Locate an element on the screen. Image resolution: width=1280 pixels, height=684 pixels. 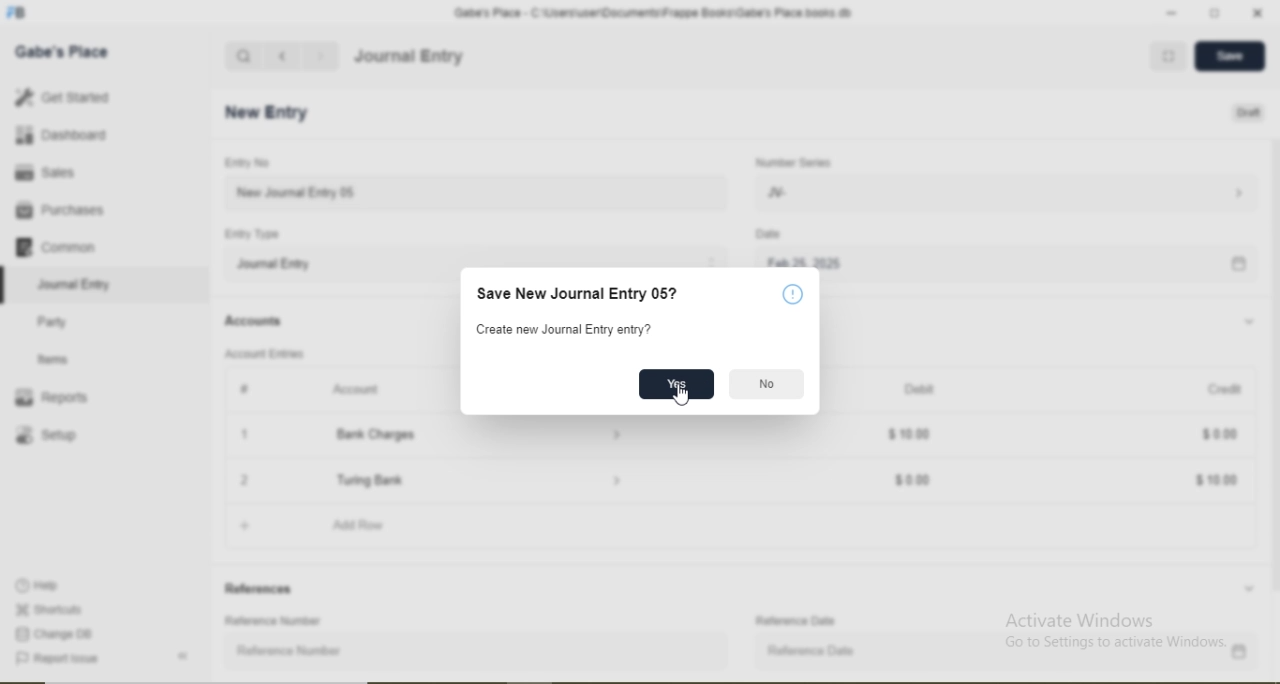
No is located at coordinates (767, 384).